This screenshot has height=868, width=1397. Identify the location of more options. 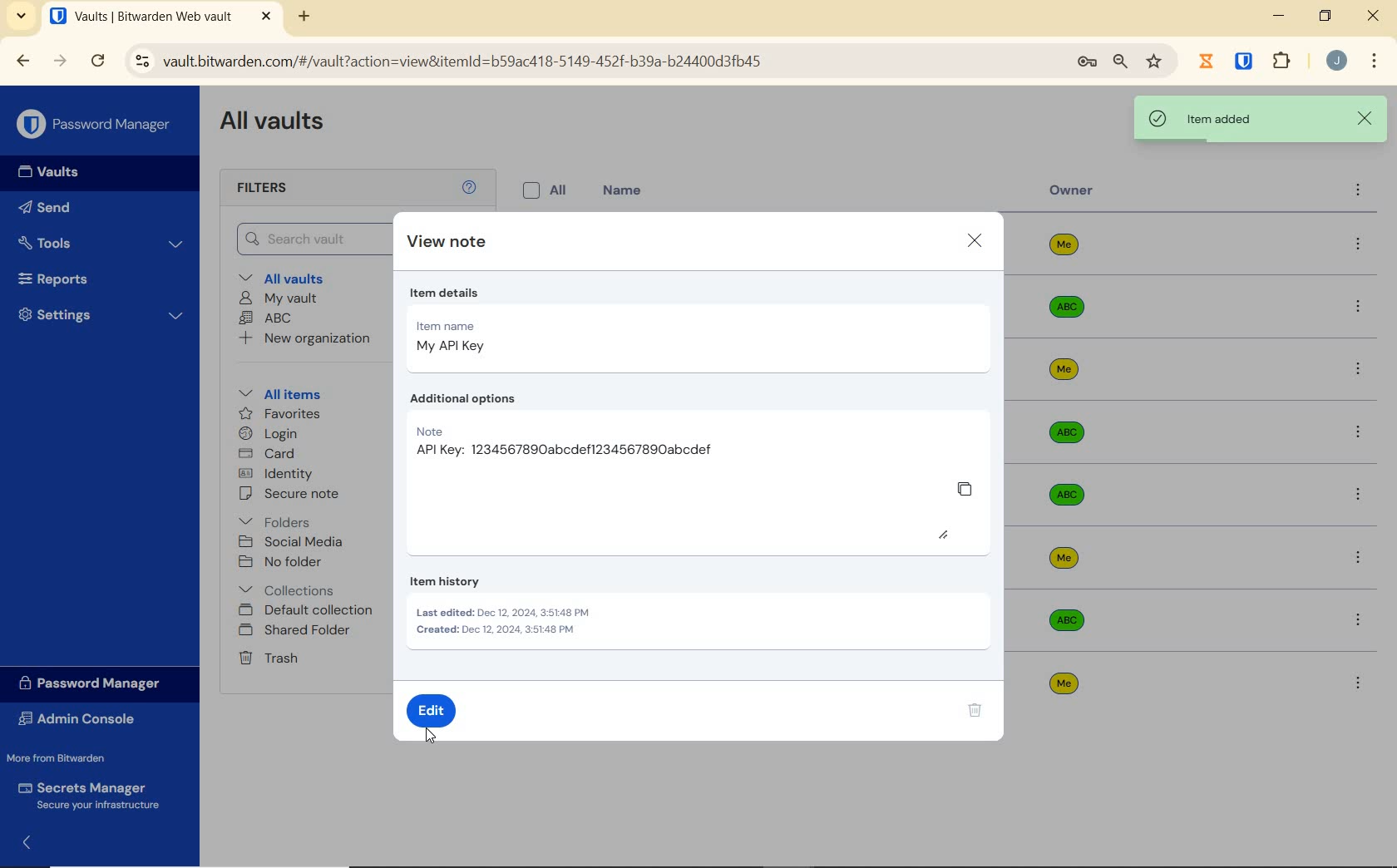
(1357, 308).